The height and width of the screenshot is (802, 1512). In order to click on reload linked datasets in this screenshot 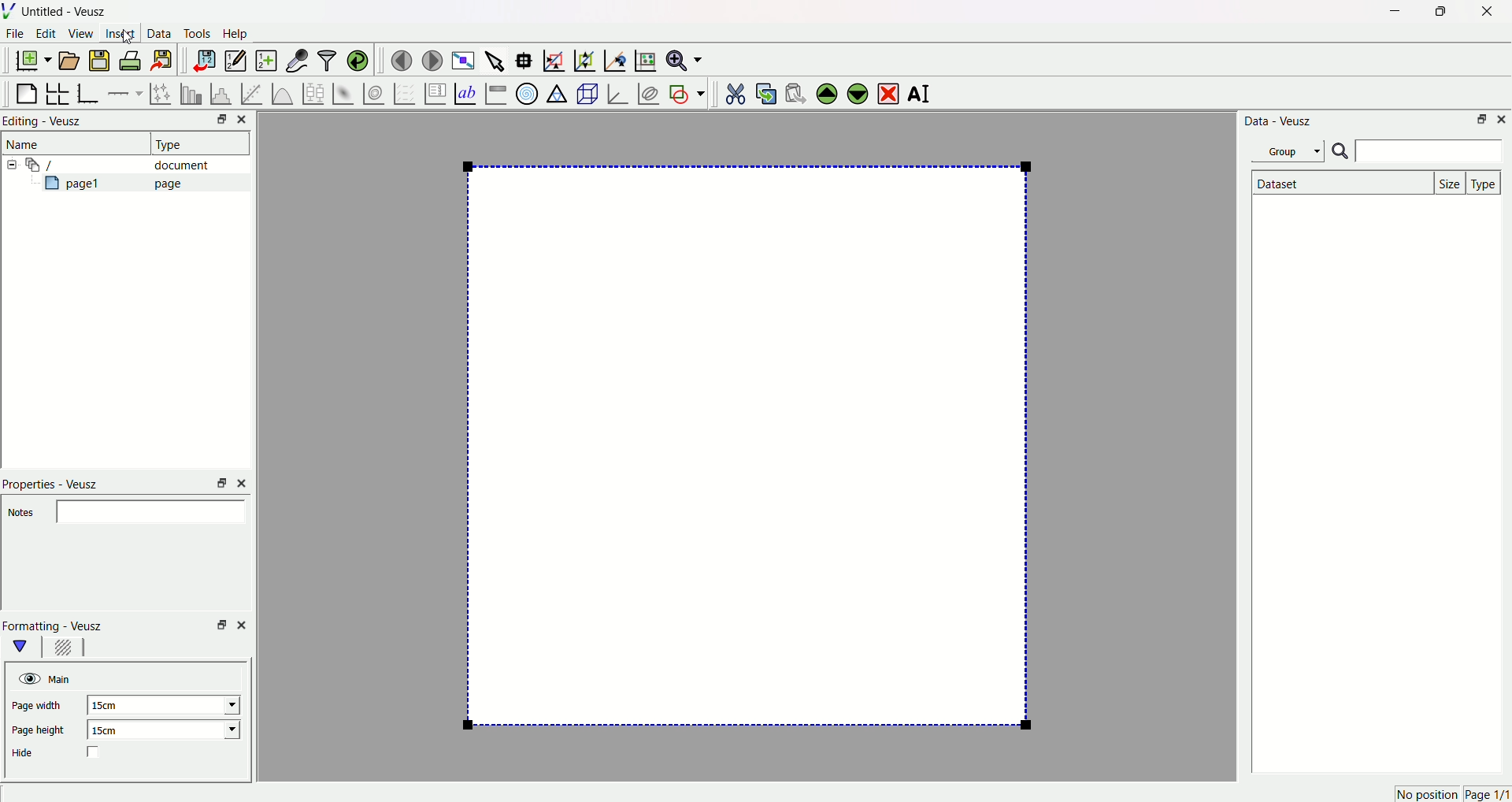, I will do `click(358, 58)`.